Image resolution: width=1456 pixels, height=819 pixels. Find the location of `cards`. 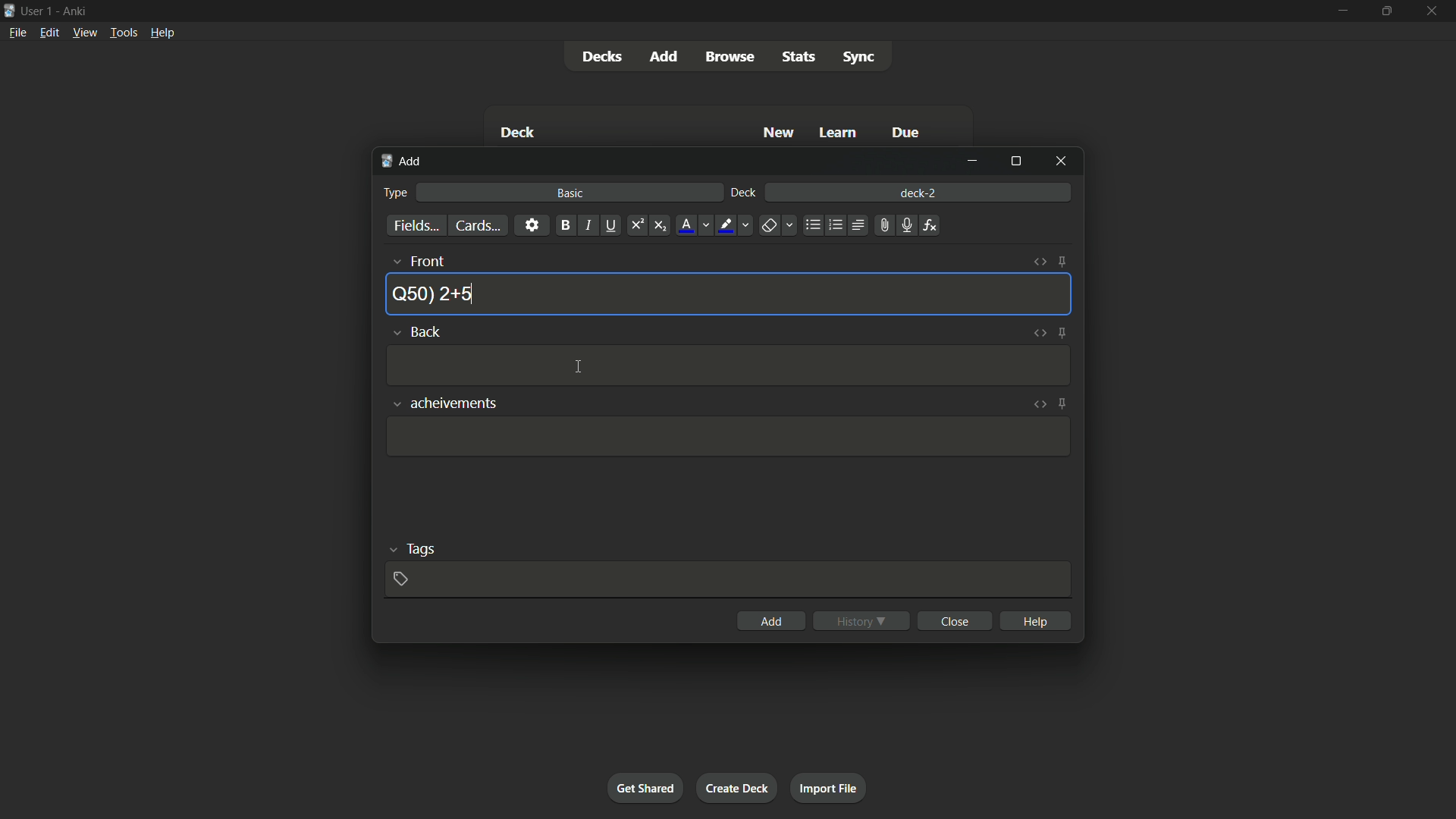

cards is located at coordinates (479, 225).